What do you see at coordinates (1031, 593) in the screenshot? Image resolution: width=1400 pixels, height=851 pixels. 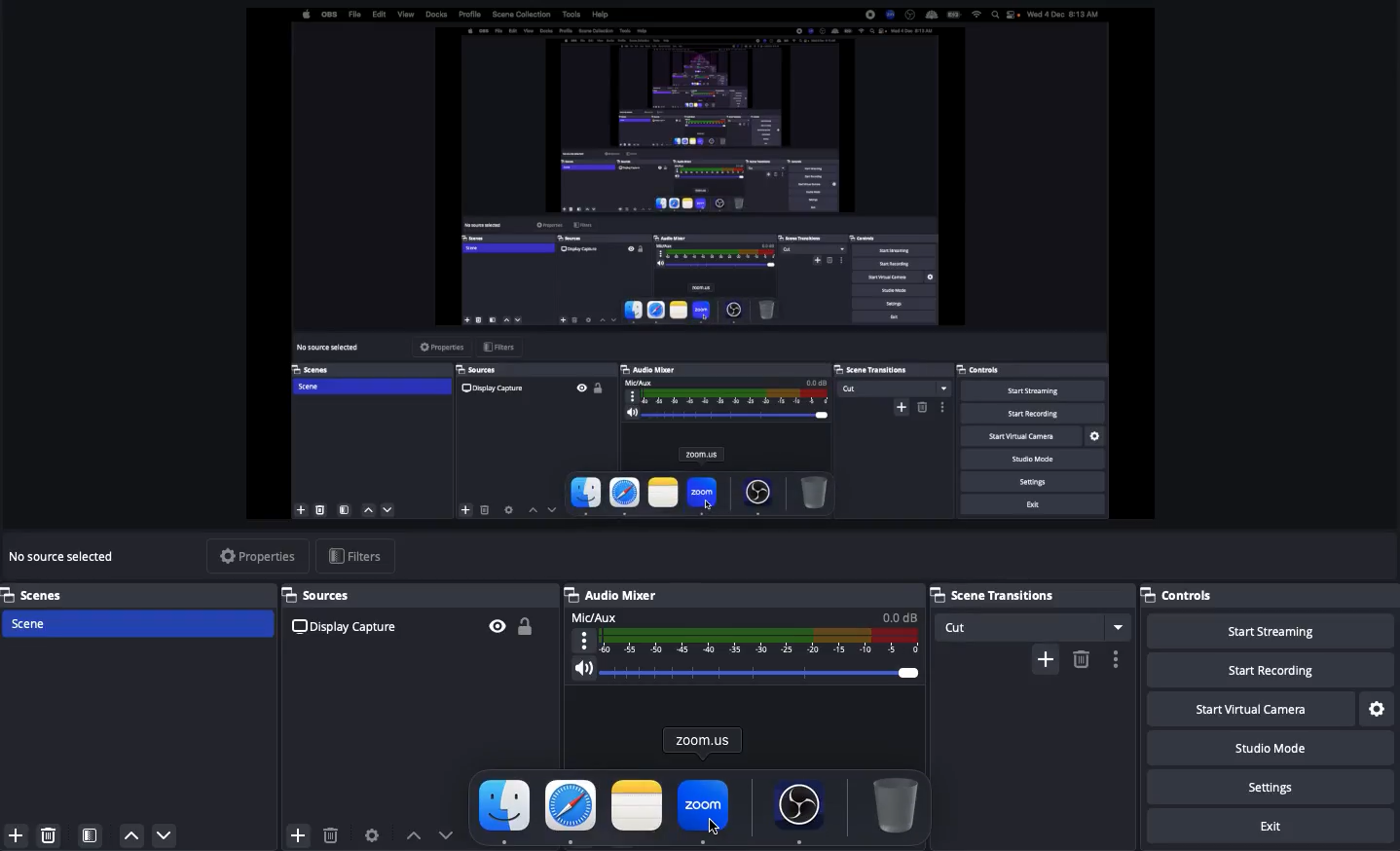 I see `Scene transitions` at bounding box center [1031, 593].